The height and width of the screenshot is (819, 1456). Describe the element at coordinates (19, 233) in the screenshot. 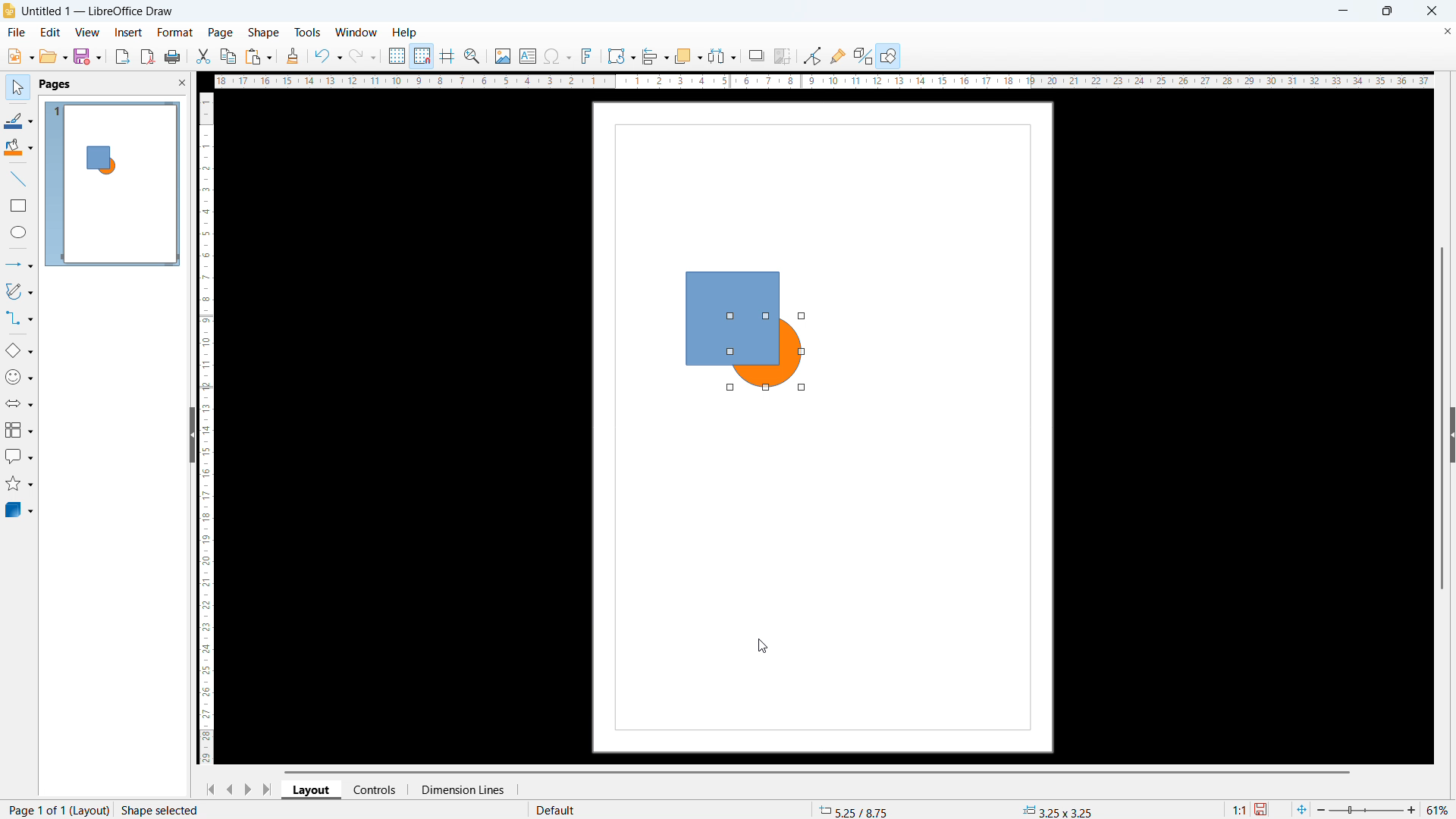

I see `Ellipse ` at that location.